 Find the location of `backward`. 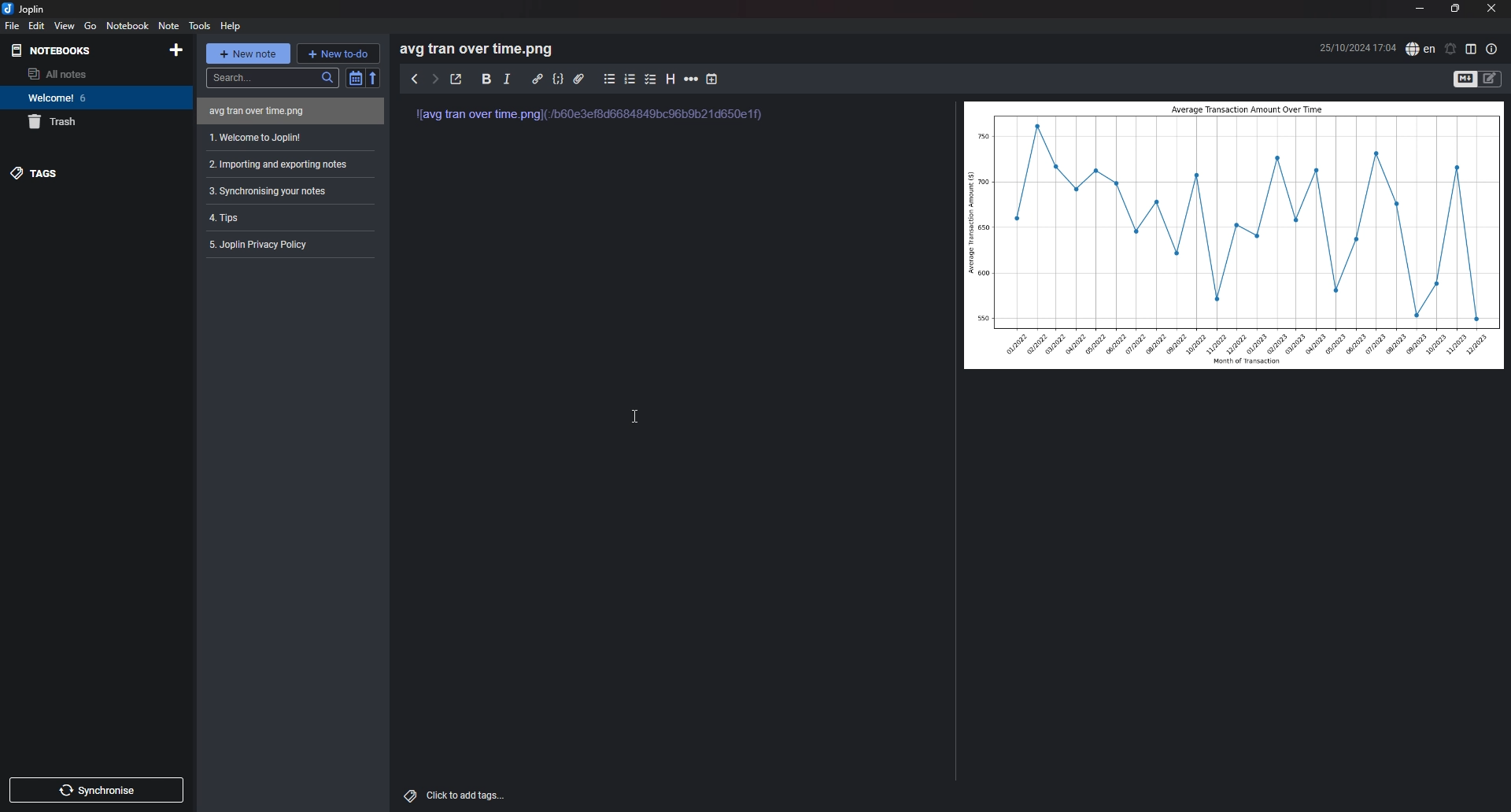

backward is located at coordinates (414, 78).